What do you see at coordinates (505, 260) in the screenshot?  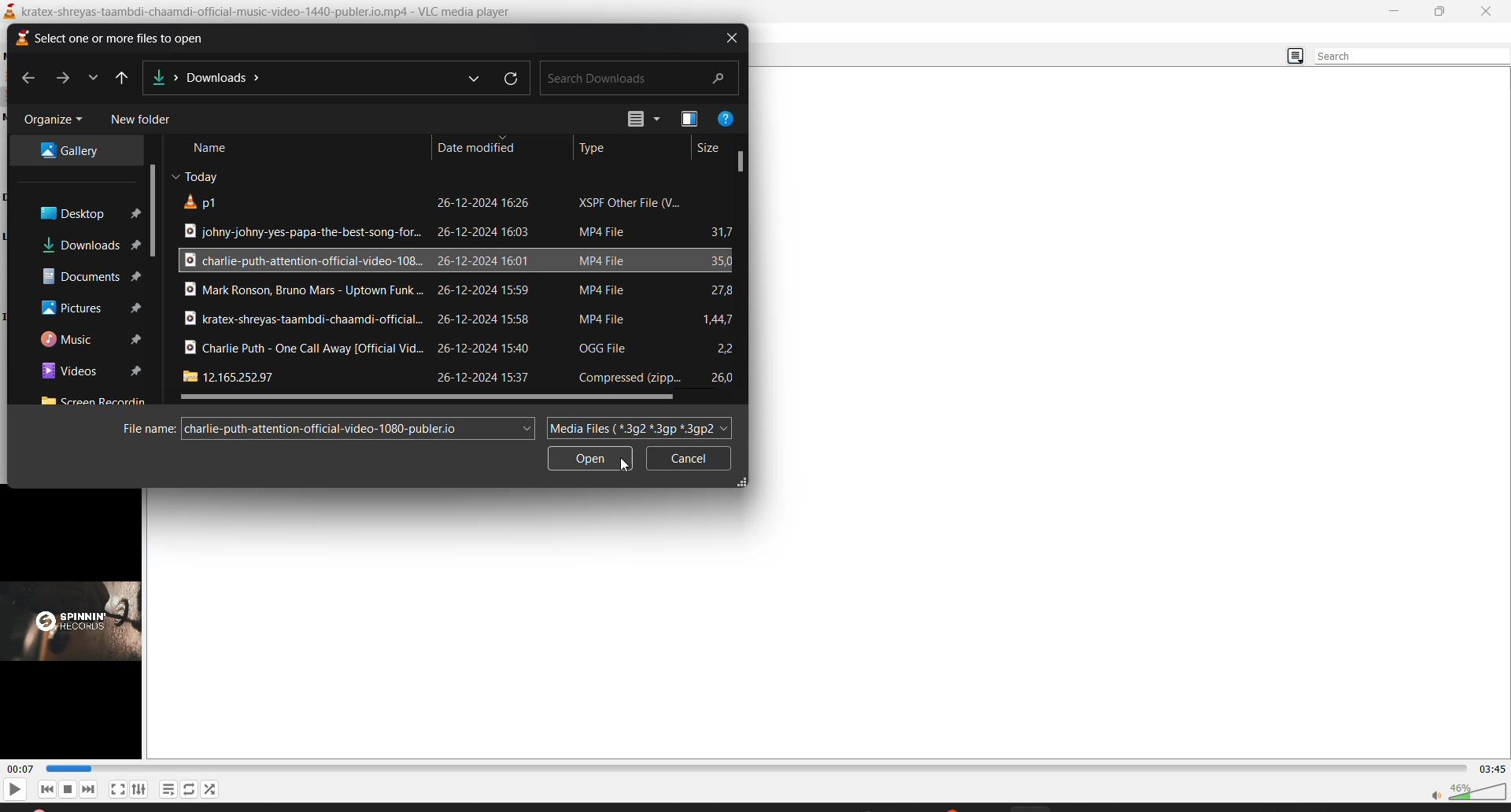 I see `date modified` at bounding box center [505, 260].